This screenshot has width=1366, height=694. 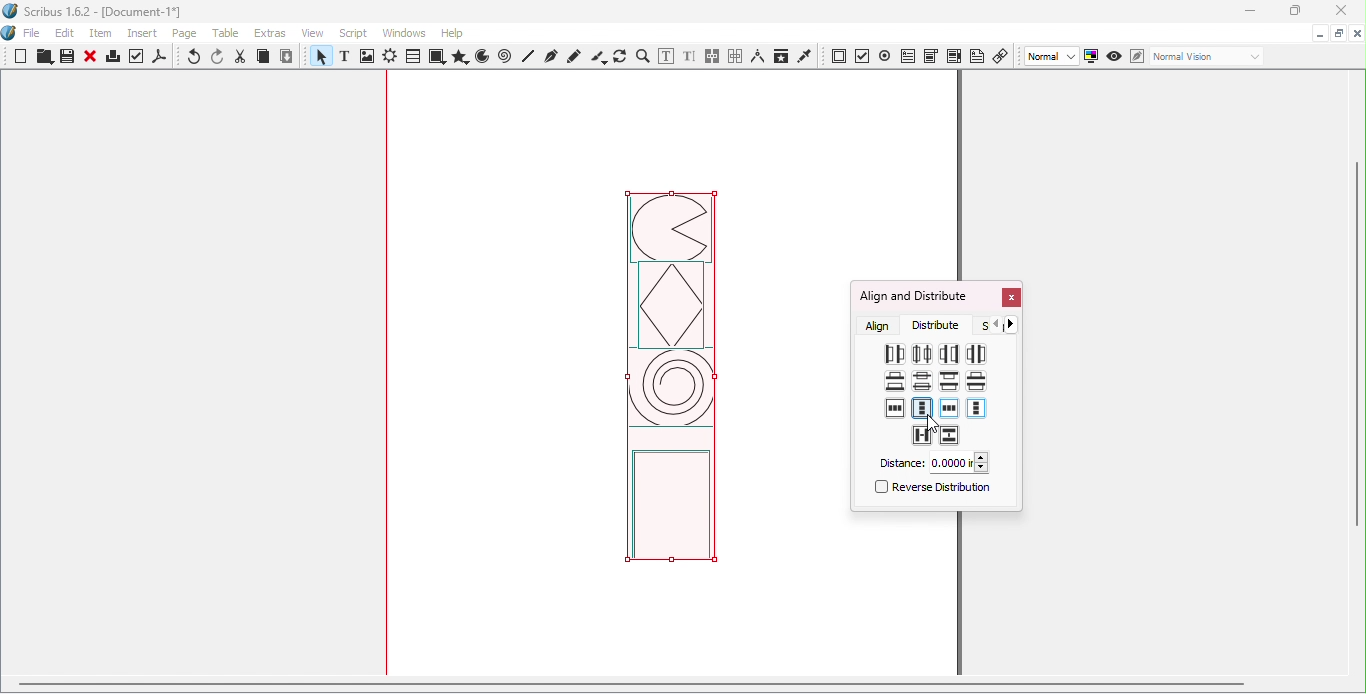 I want to click on Distribute right sides equidistantly, so click(x=948, y=353).